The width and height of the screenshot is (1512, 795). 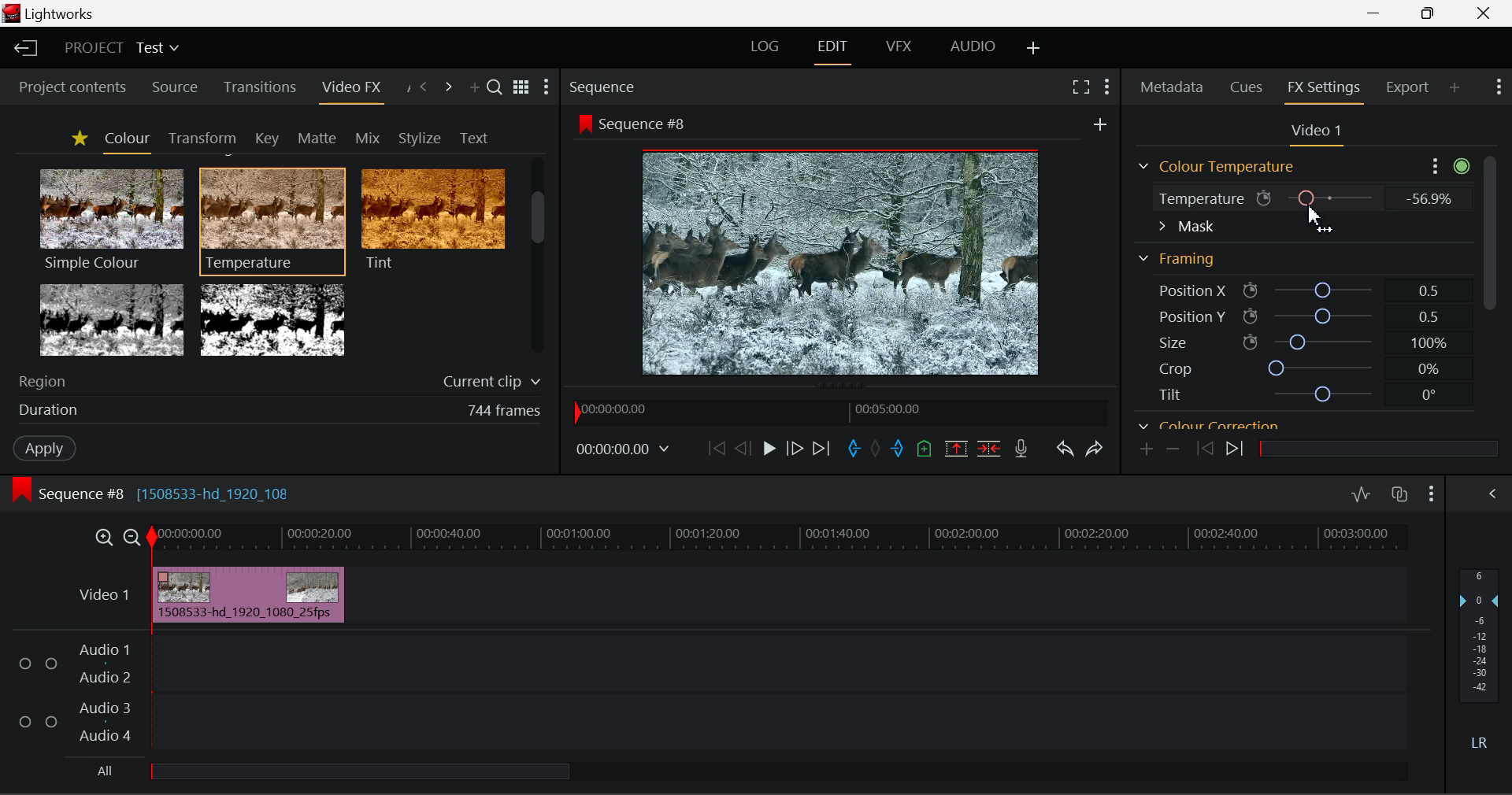 What do you see at coordinates (925, 450) in the screenshot?
I see `Mark Cue` at bounding box center [925, 450].